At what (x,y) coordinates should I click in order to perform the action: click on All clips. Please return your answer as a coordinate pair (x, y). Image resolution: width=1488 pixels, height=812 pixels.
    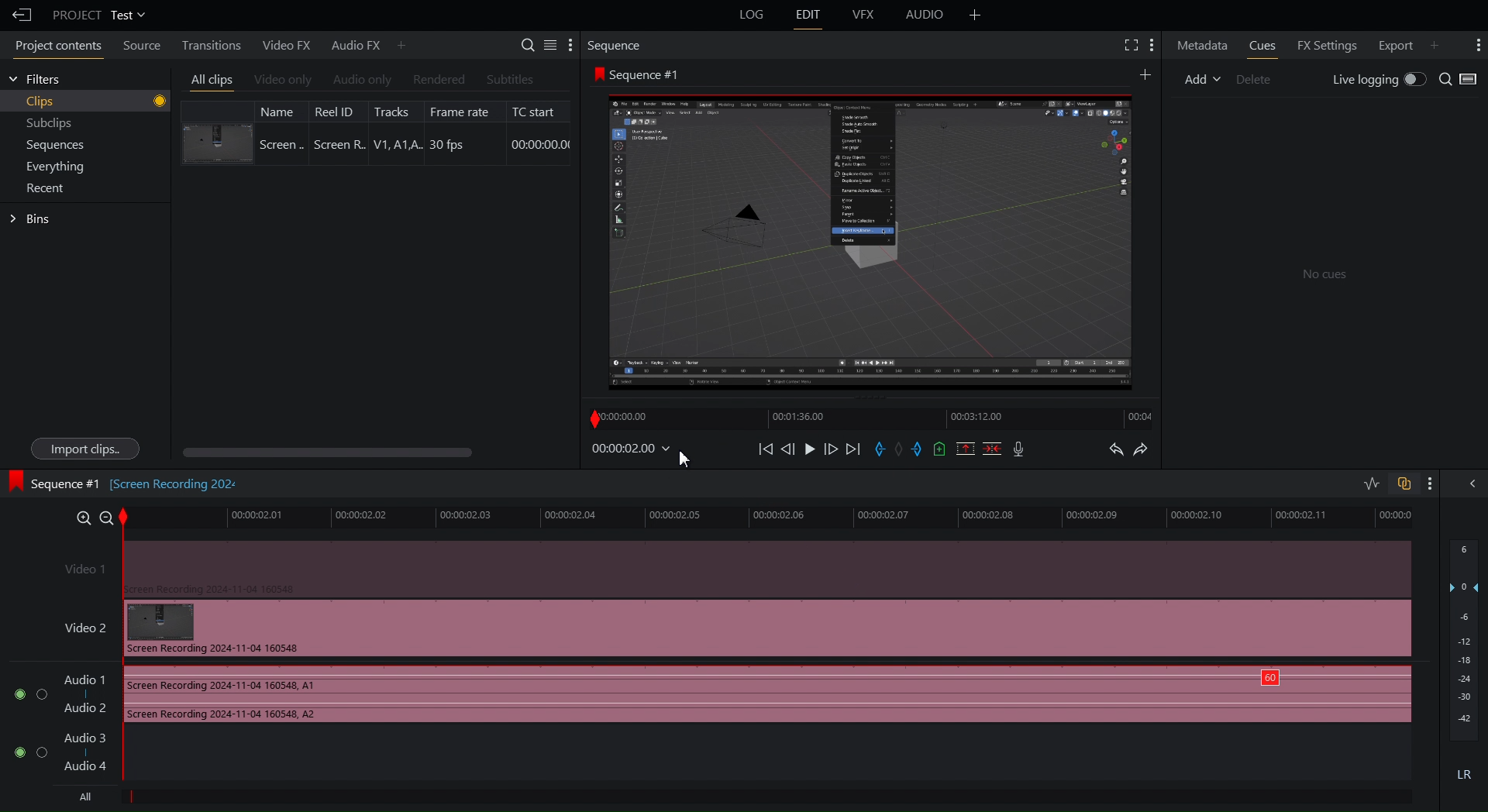
    Looking at the image, I should click on (212, 81).